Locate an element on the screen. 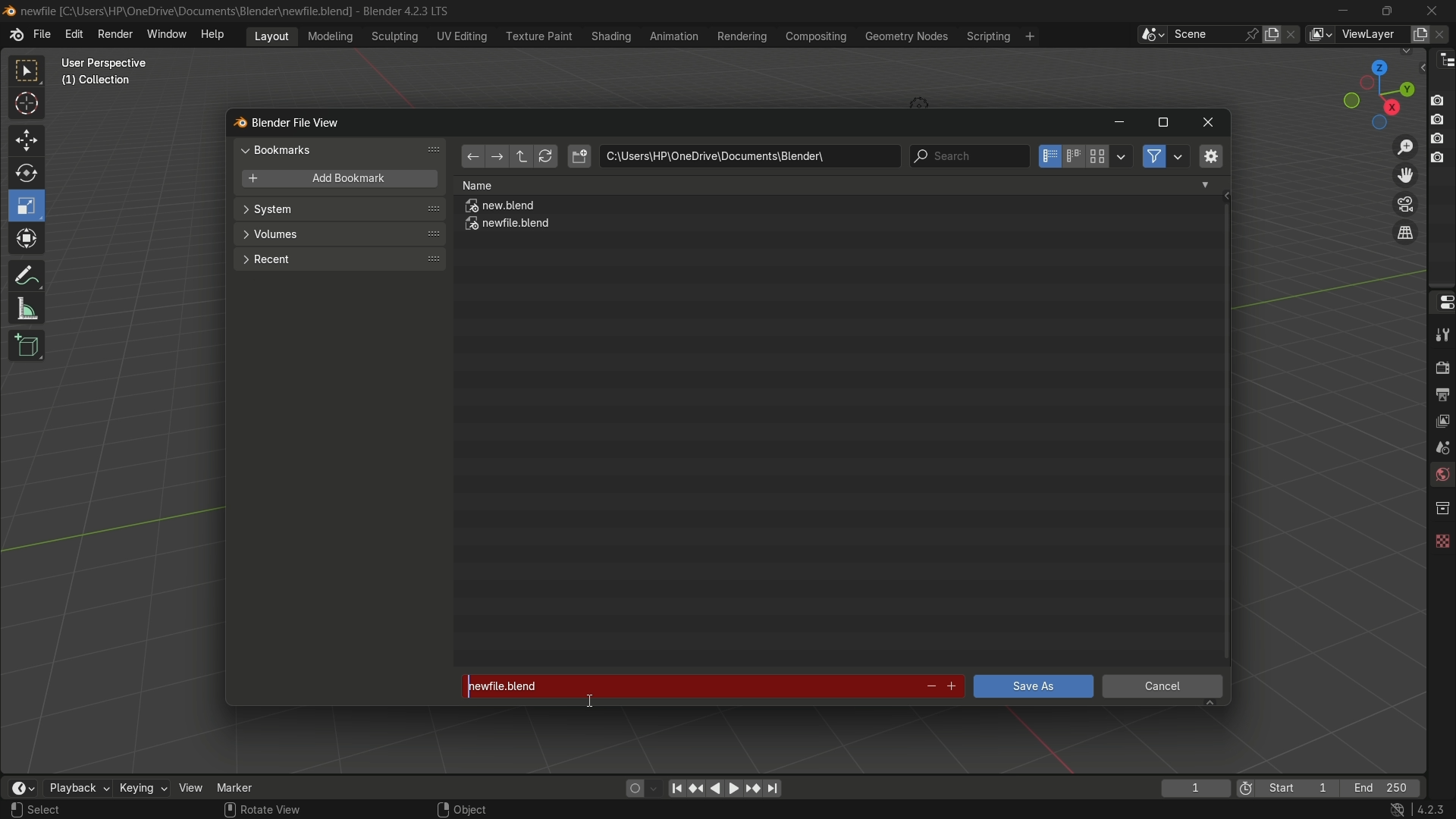  tools is located at coordinates (1441, 334).